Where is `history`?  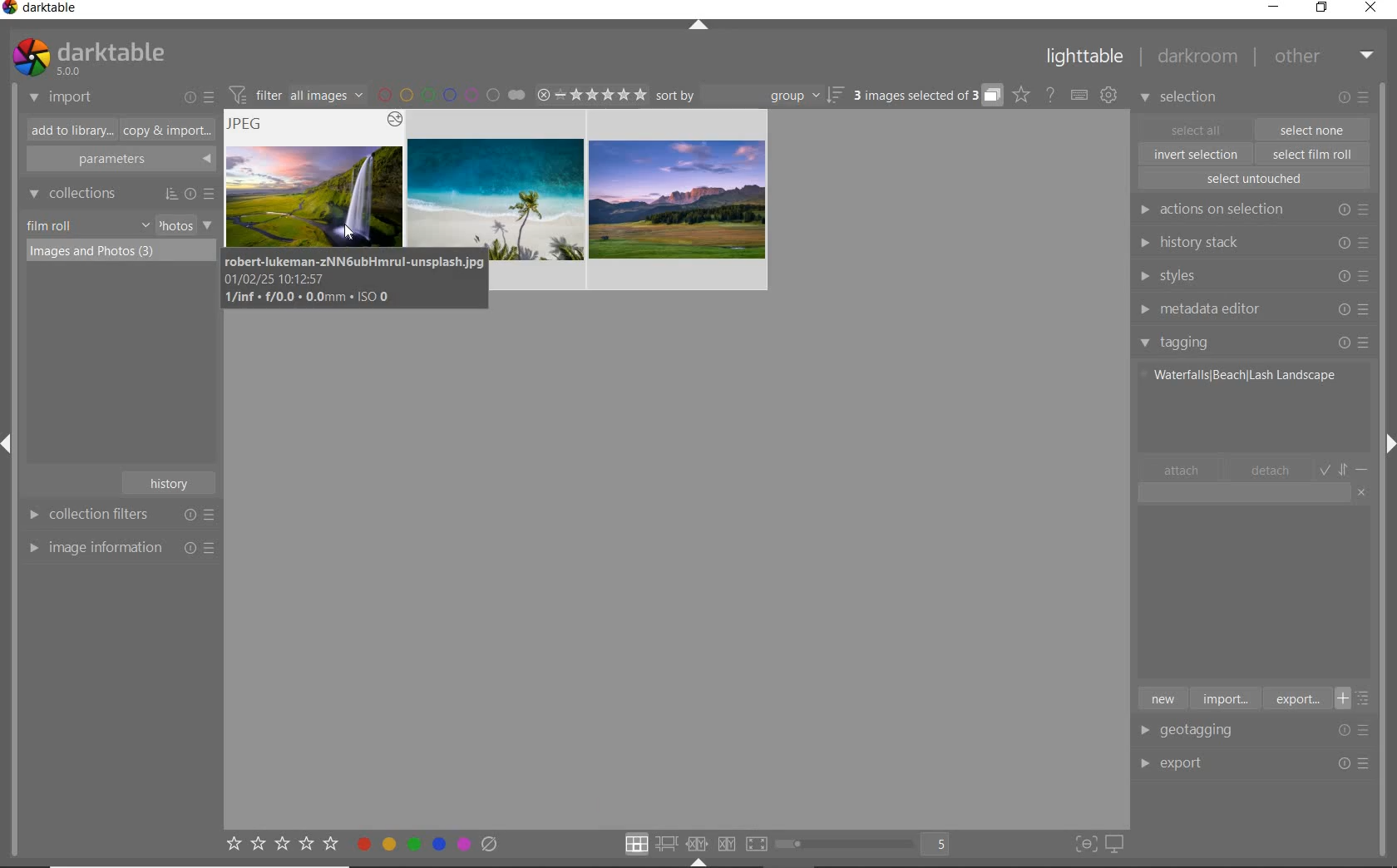 history is located at coordinates (171, 481).